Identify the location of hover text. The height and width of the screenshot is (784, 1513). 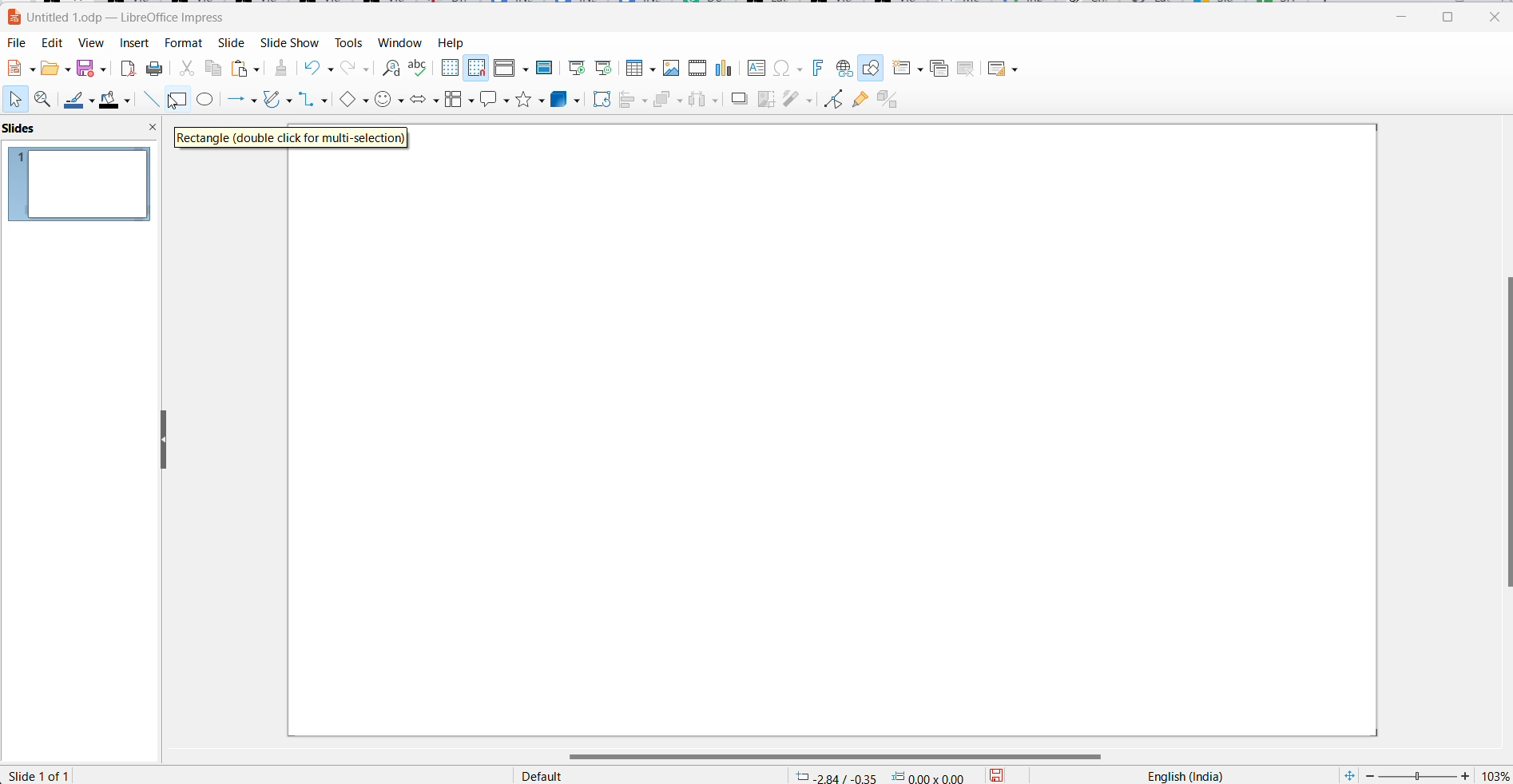
(292, 138).